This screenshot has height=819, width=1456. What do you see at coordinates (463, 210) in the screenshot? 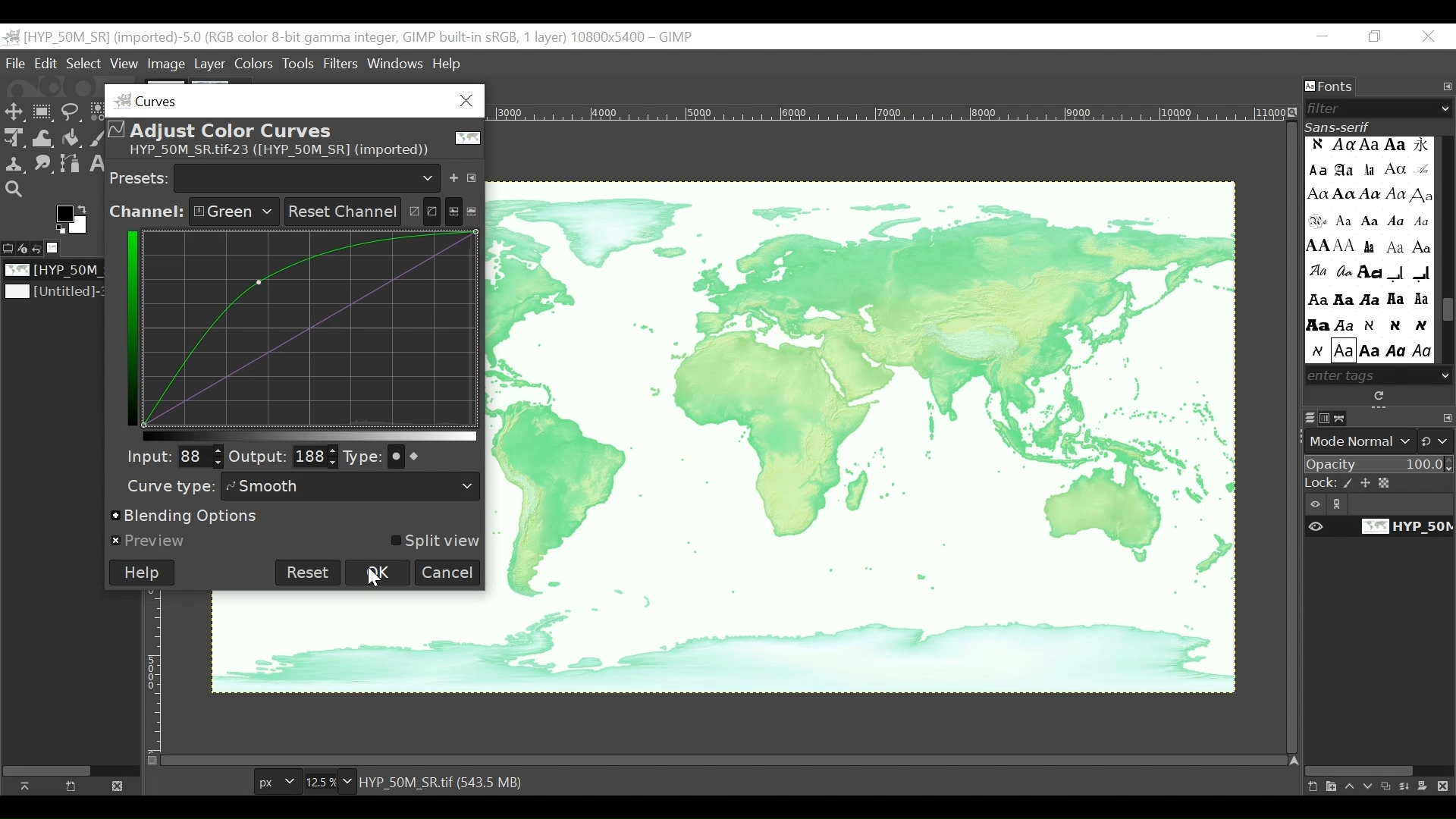
I see `Histogram` at bounding box center [463, 210].